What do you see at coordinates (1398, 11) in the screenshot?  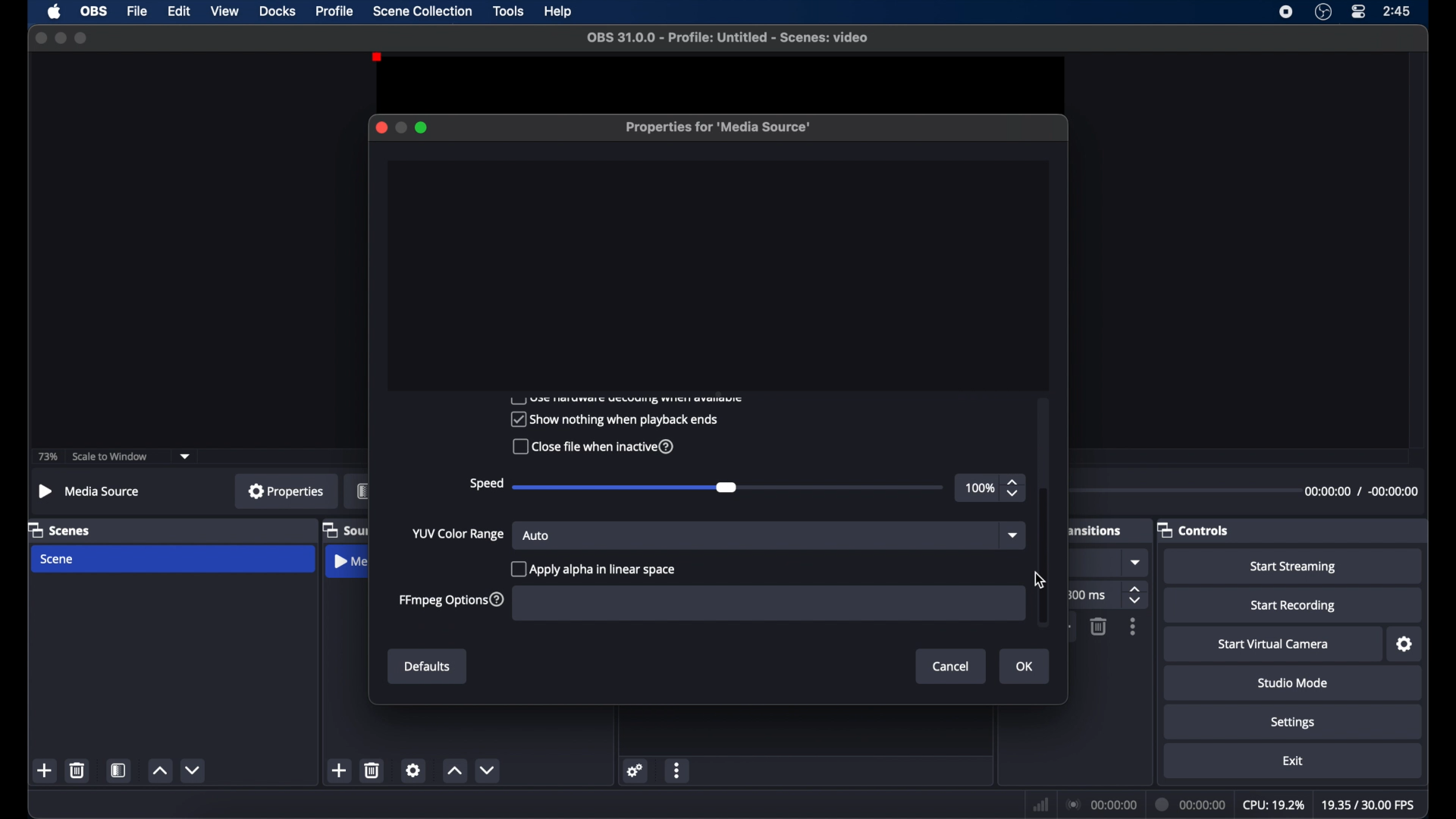 I see `time` at bounding box center [1398, 11].